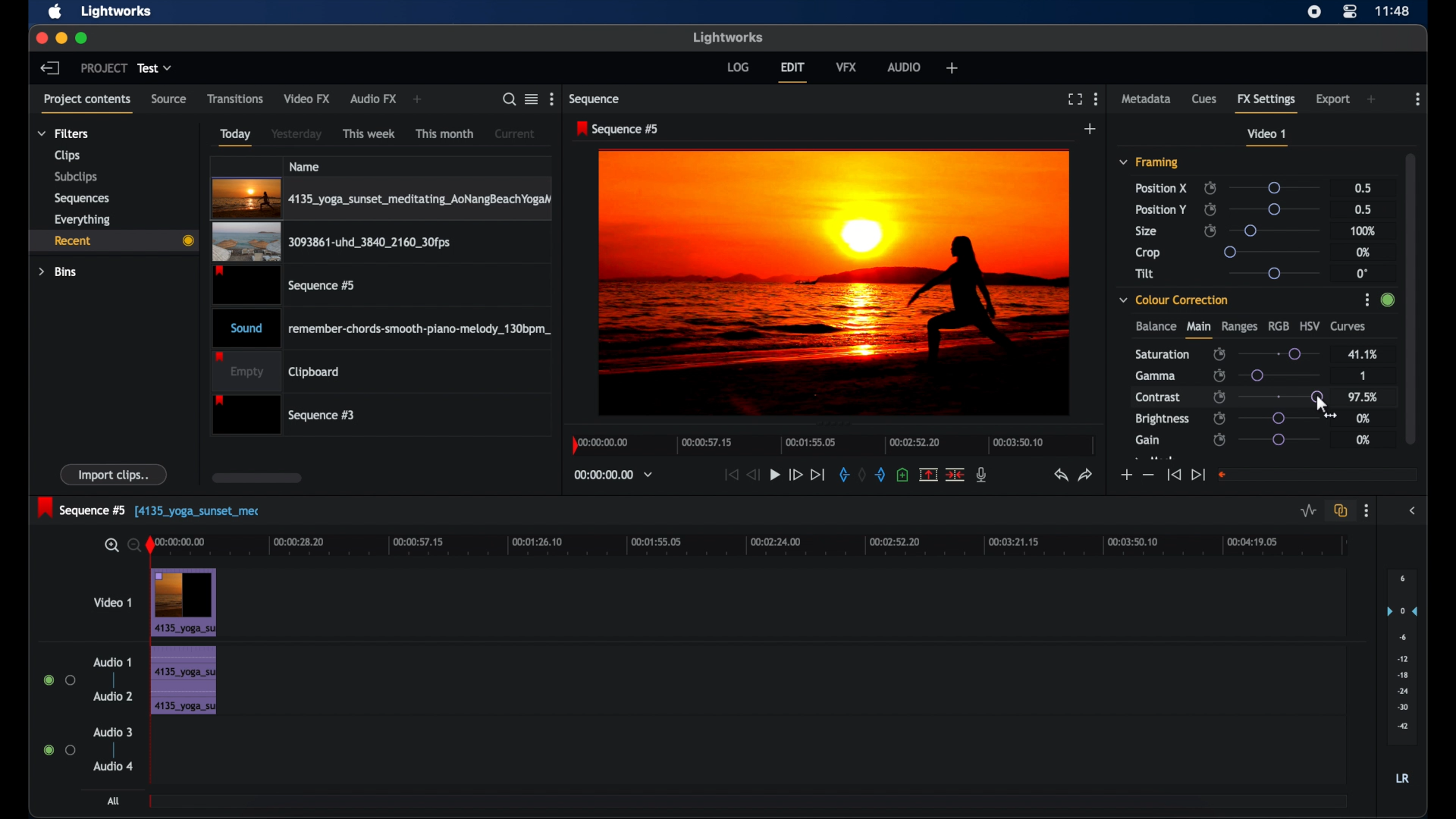  Describe the element at coordinates (184, 602) in the screenshot. I see `video` at that location.